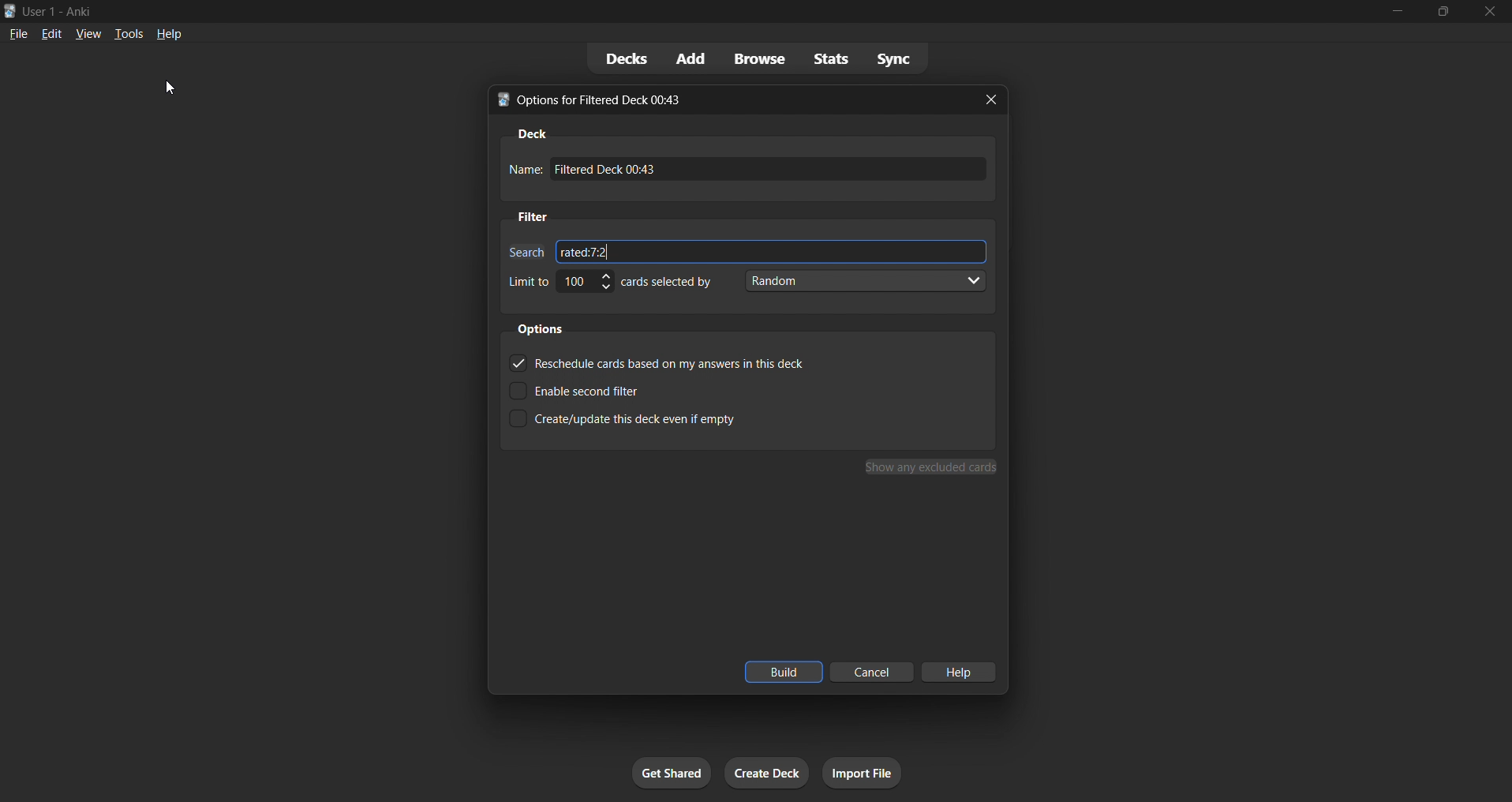 Image resolution: width=1512 pixels, height=802 pixels. What do you see at coordinates (780, 249) in the screenshot?
I see `rated:7:2` at bounding box center [780, 249].